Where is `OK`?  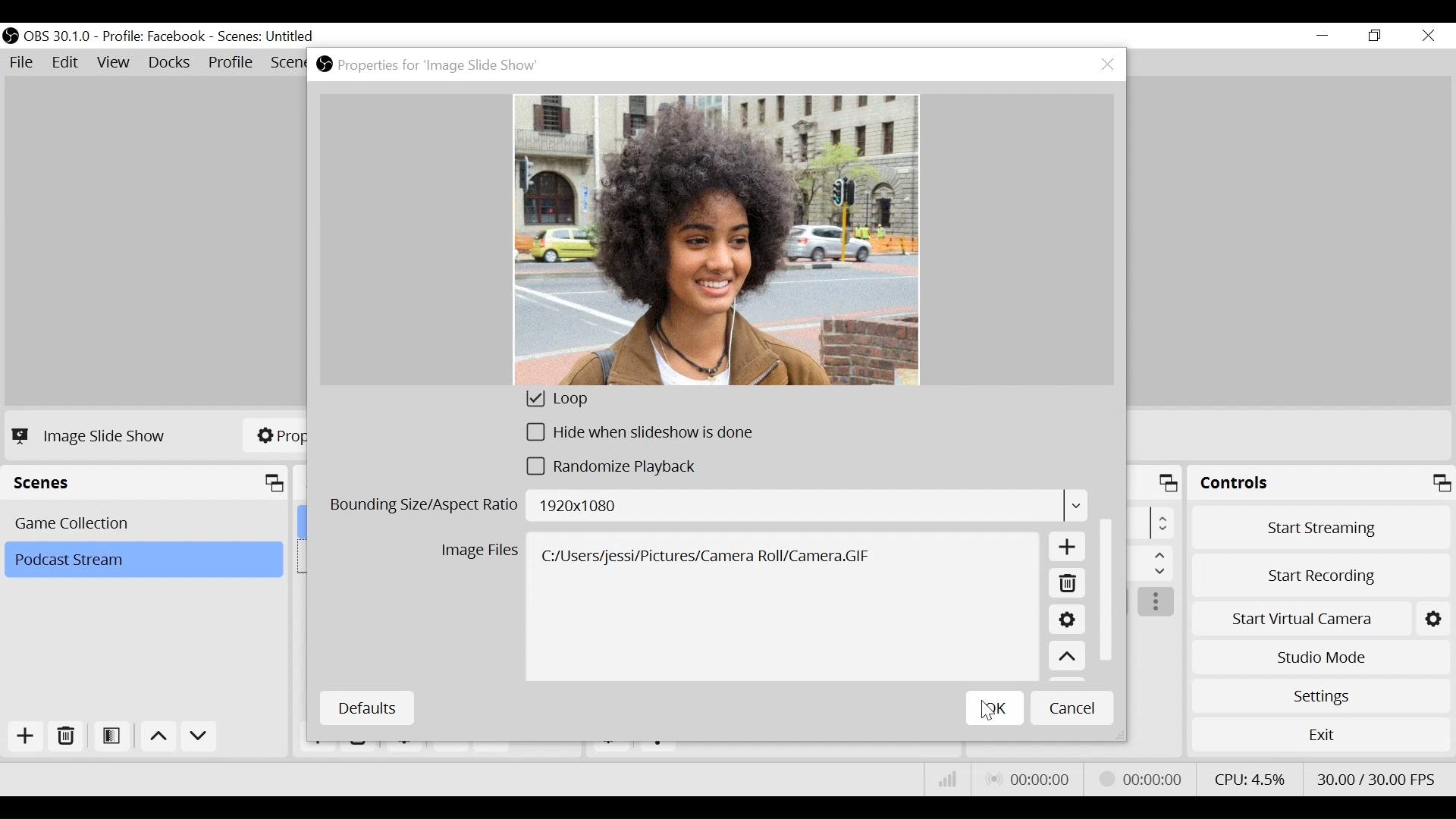
OK is located at coordinates (995, 708).